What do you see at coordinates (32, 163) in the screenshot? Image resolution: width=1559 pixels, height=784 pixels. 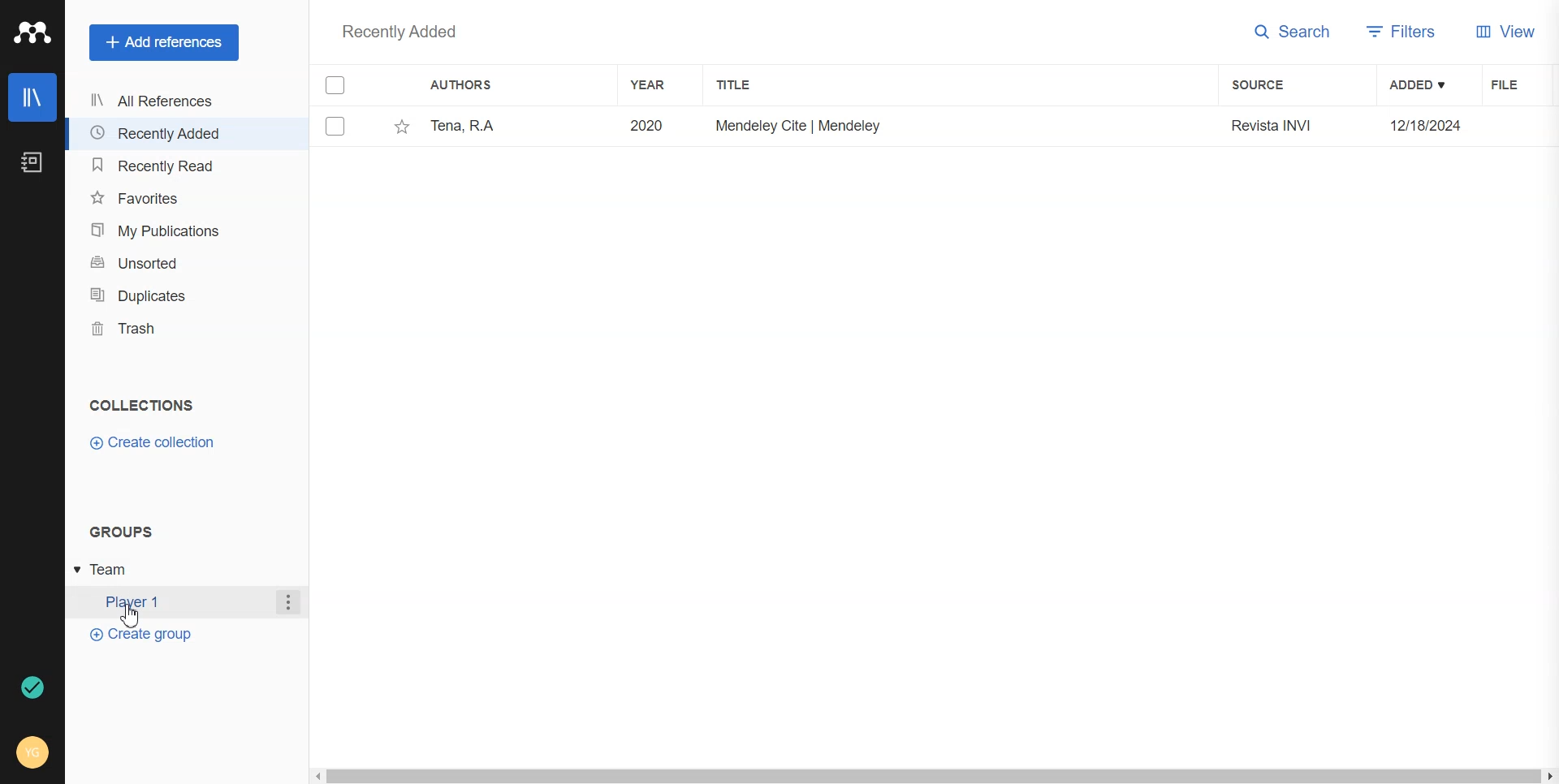 I see `Notebook` at bounding box center [32, 163].